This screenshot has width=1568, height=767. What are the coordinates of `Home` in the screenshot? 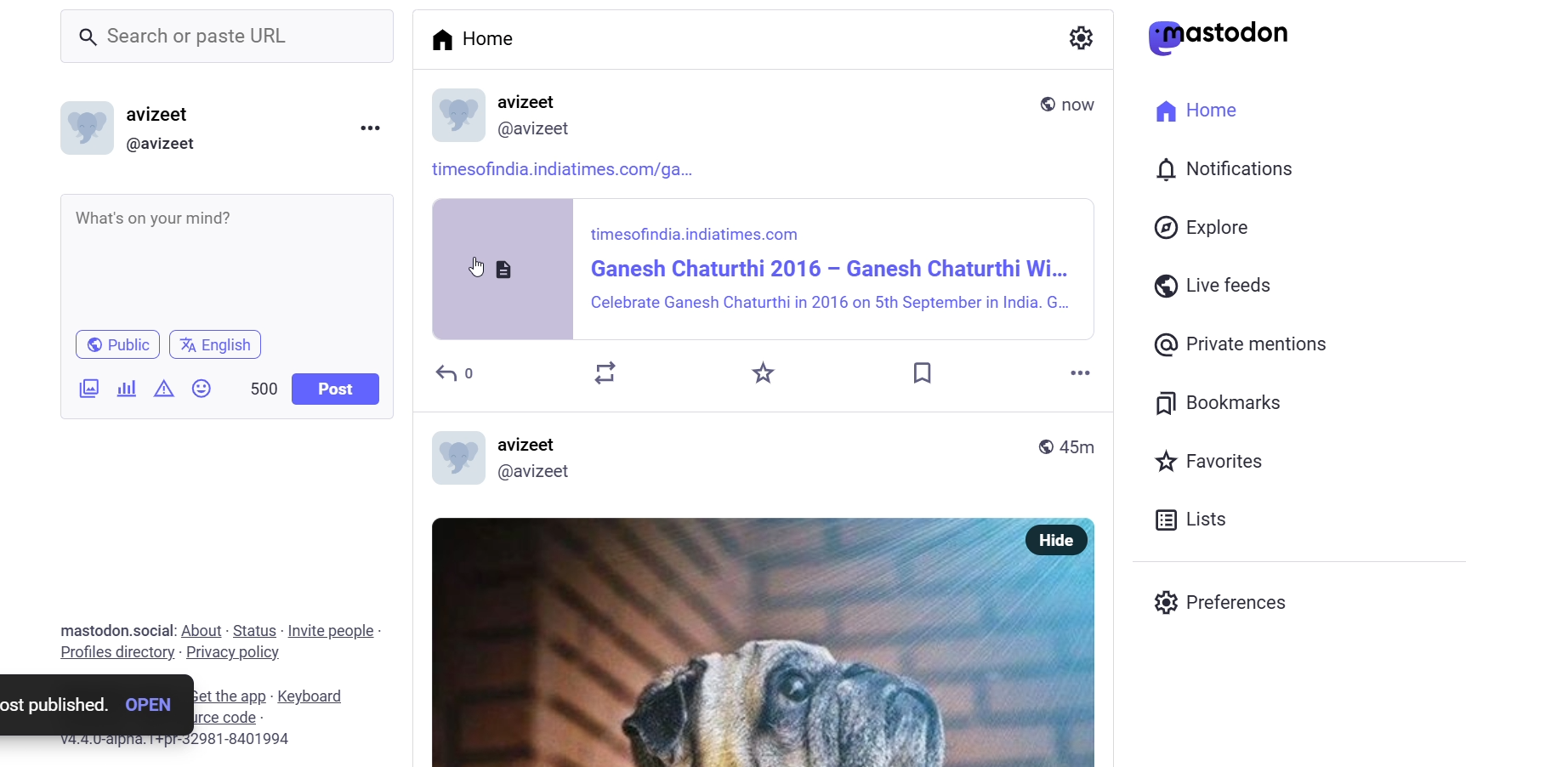 It's located at (1209, 114).